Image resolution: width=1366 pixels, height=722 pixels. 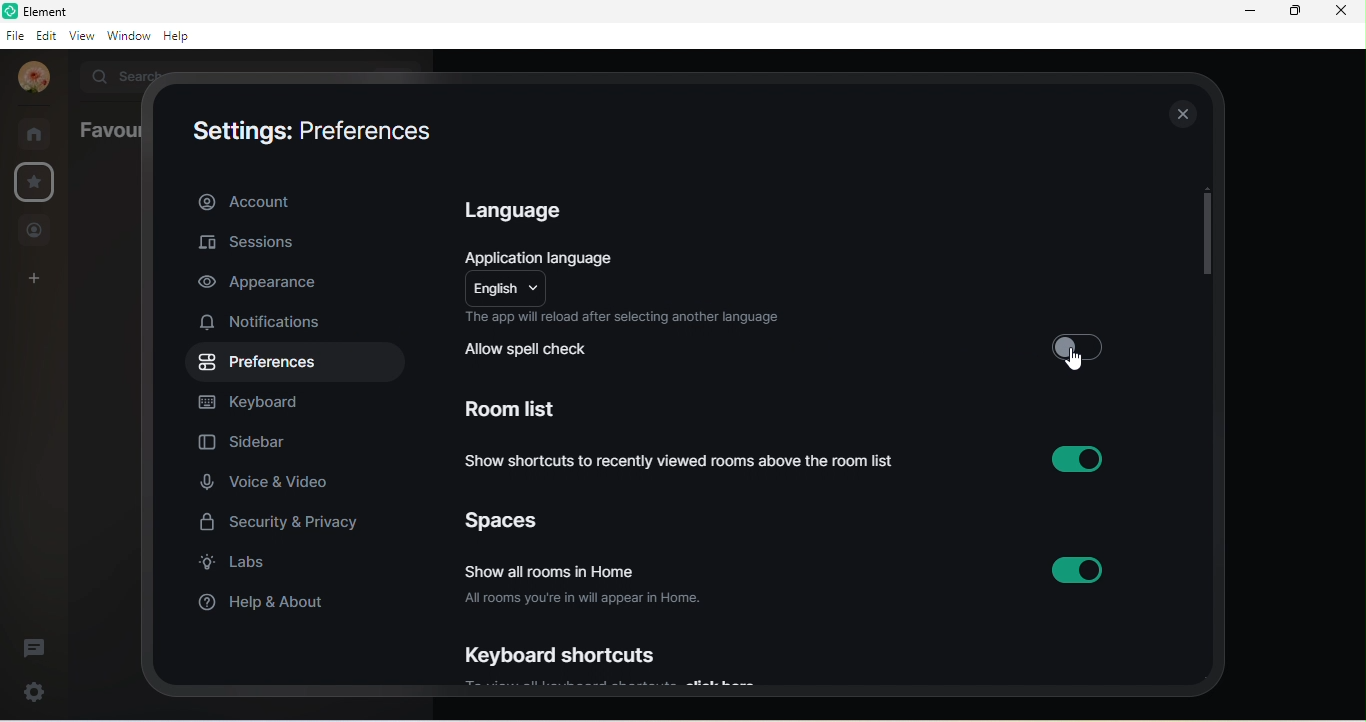 I want to click on title, so click(x=48, y=11).